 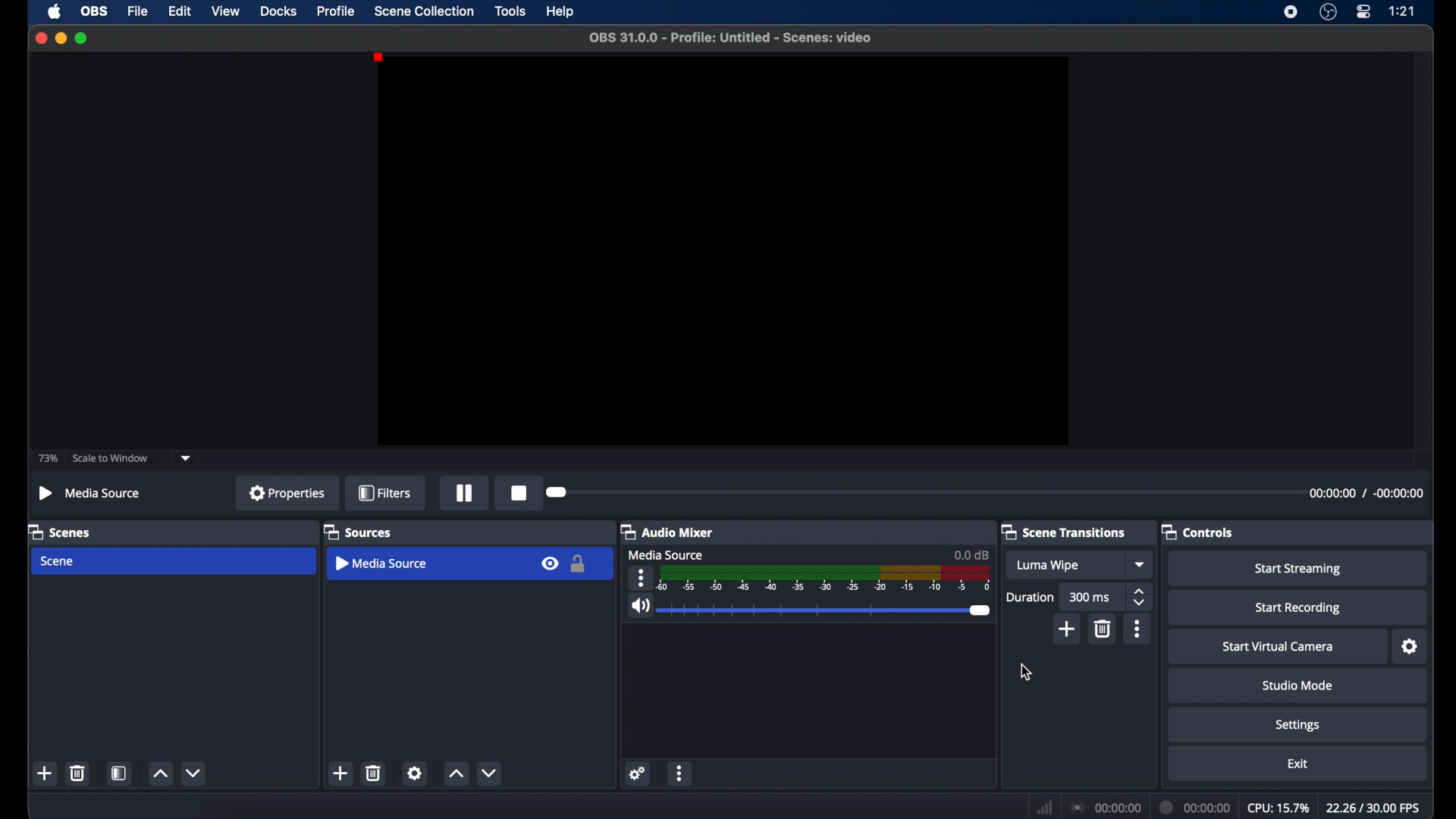 What do you see at coordinates (119, 775) in the screenshot?
I see `scene filters` at bounding box center [119, 775].